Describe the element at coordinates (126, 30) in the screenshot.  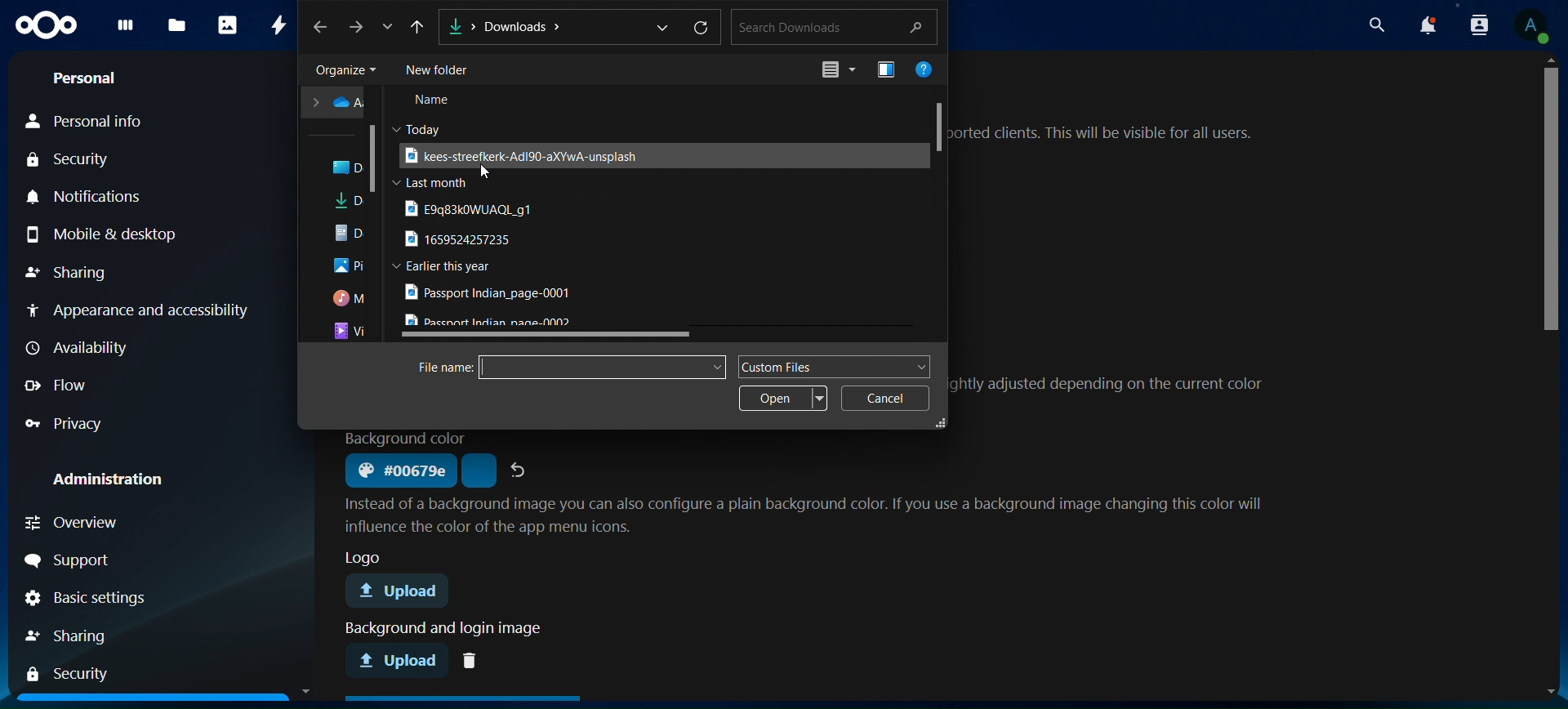
I see `dashboard` at that location.